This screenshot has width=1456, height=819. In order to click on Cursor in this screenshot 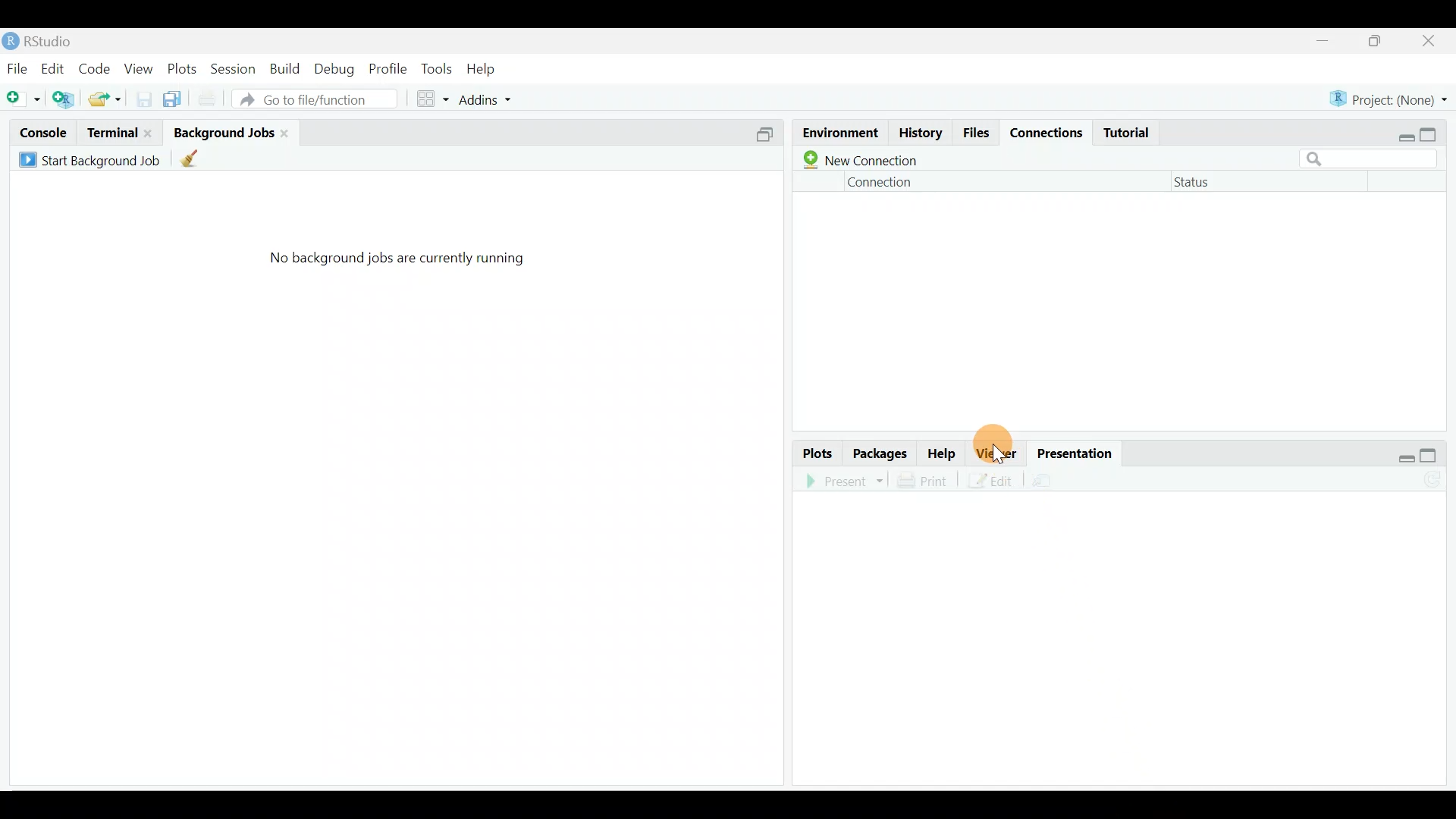, I will do `click(998, 444)`.